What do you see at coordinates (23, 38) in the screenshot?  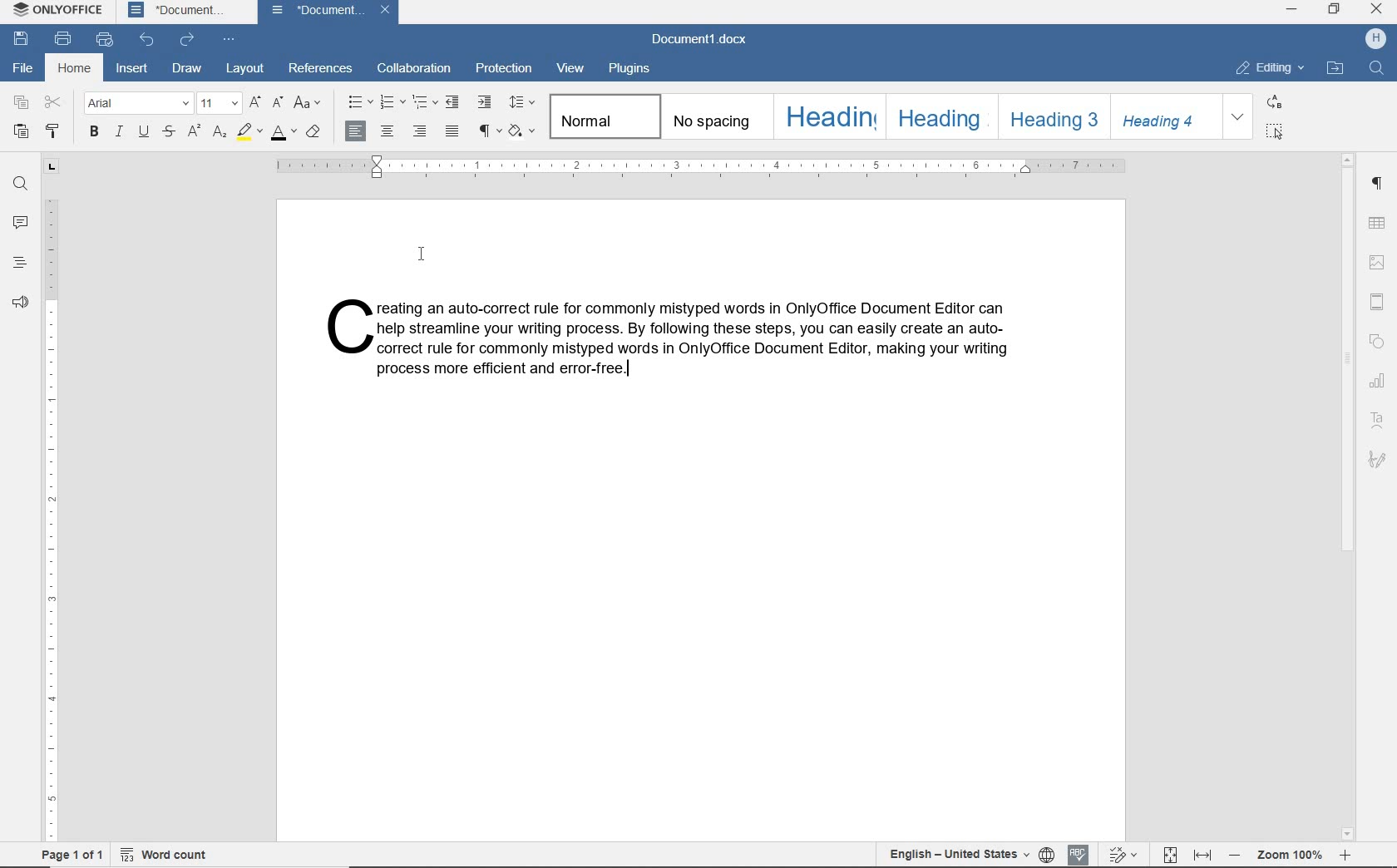 I see `SAVE` at bounding box center [23, 38].